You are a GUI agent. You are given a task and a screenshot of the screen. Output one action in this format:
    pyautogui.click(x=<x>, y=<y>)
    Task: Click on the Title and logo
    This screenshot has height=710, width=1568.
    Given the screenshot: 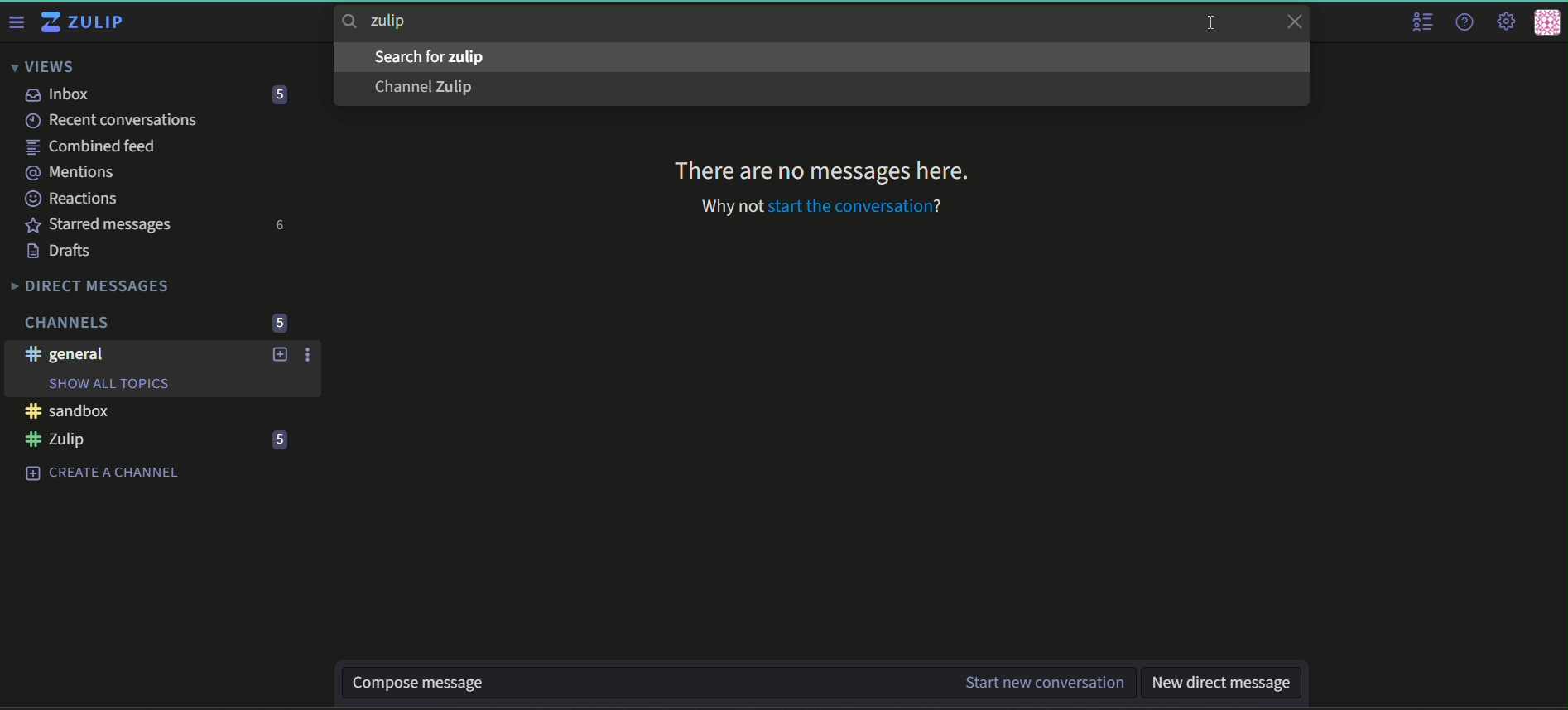 What is the action you would take?
    pyautogui.click(x=86, y=24)
    